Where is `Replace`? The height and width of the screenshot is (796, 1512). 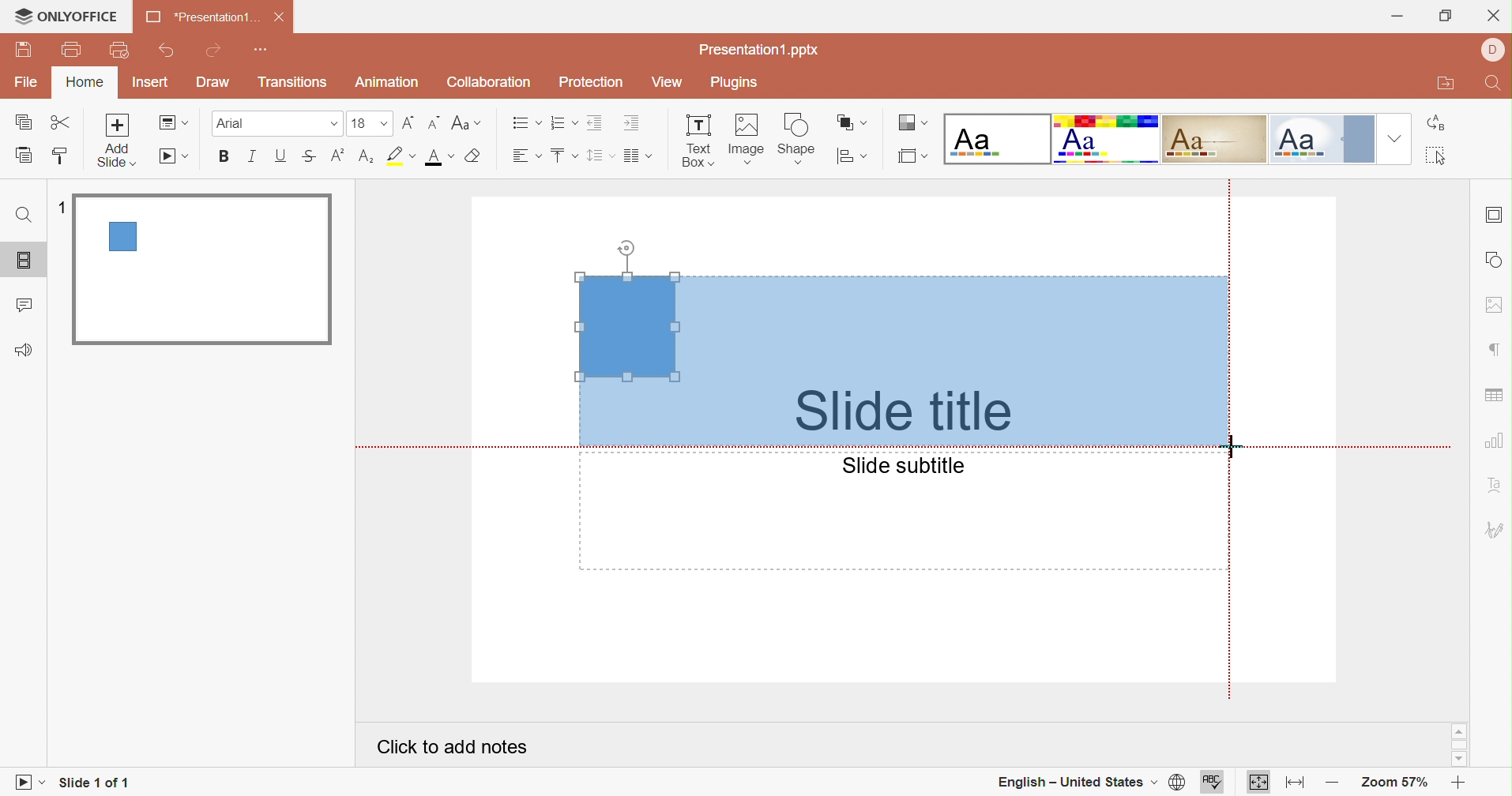
Replace is located at coordinates (1439, 122).